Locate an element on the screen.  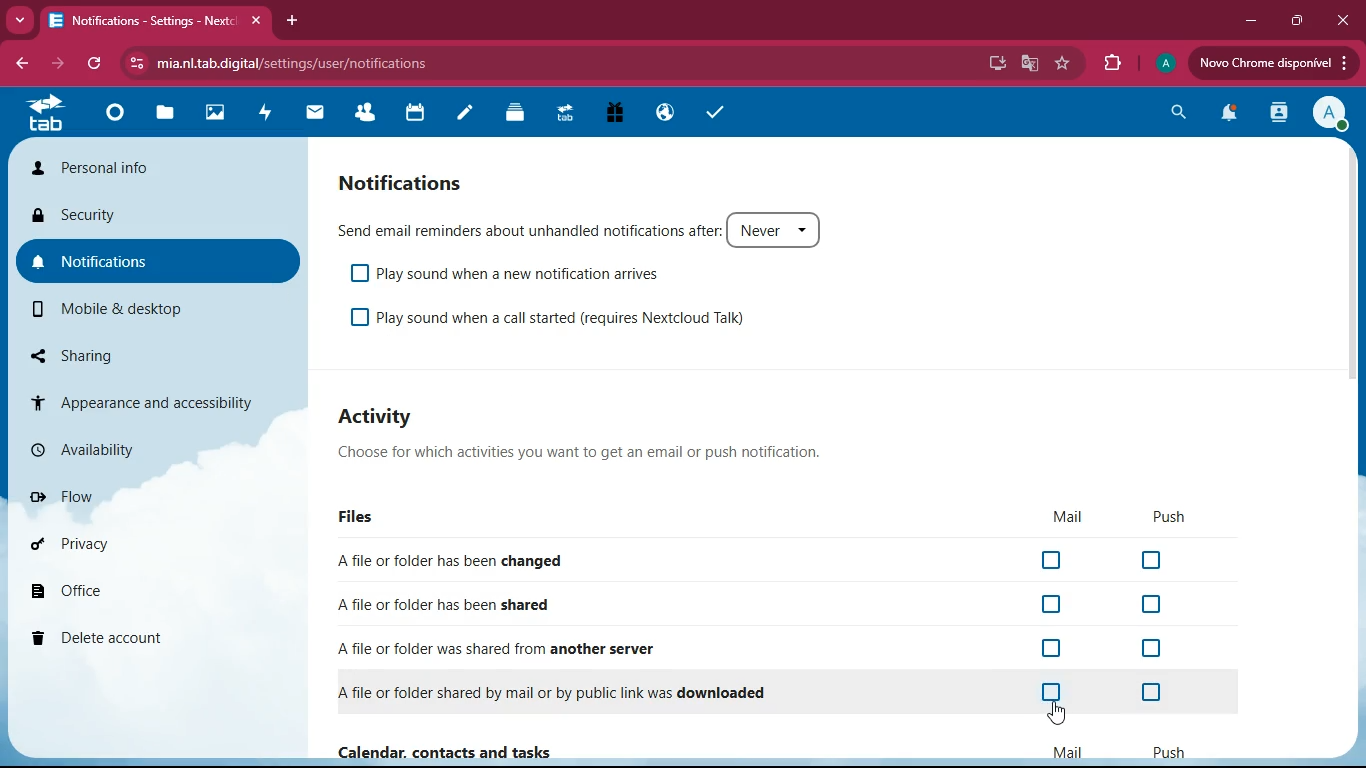
forward is located at coordinates (55, 65).